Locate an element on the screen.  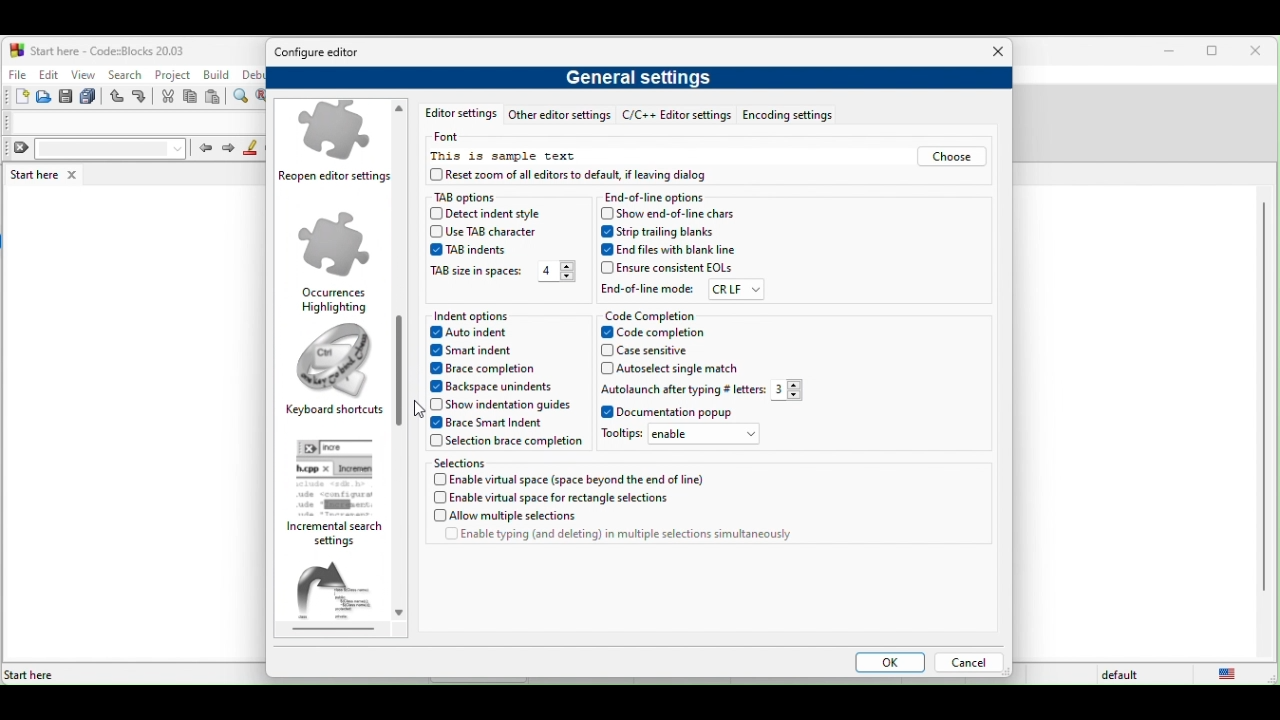
next  is located at coordinates (228, 149).